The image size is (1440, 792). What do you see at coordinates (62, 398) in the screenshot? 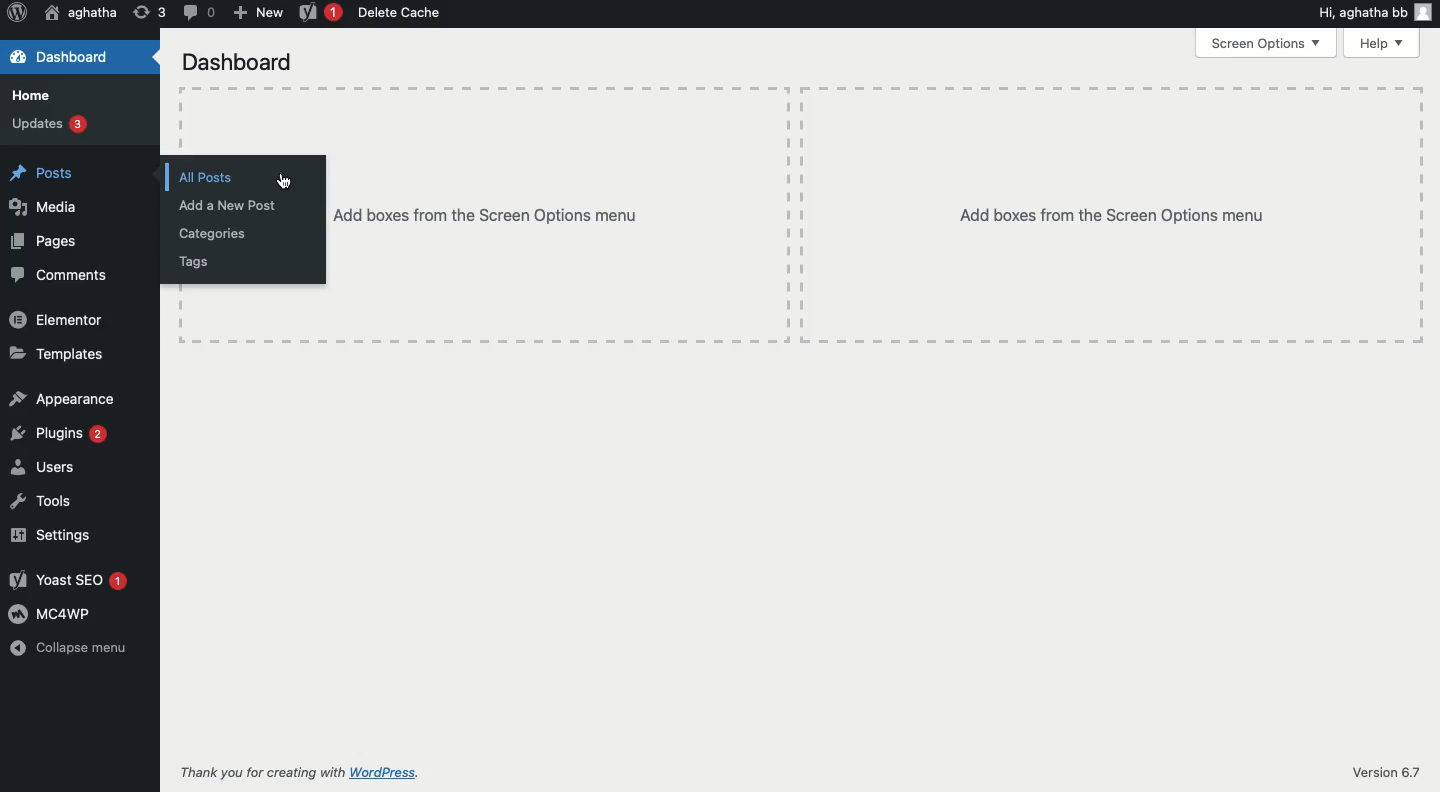
I see `Appearance` at bounding box center [62, 398].